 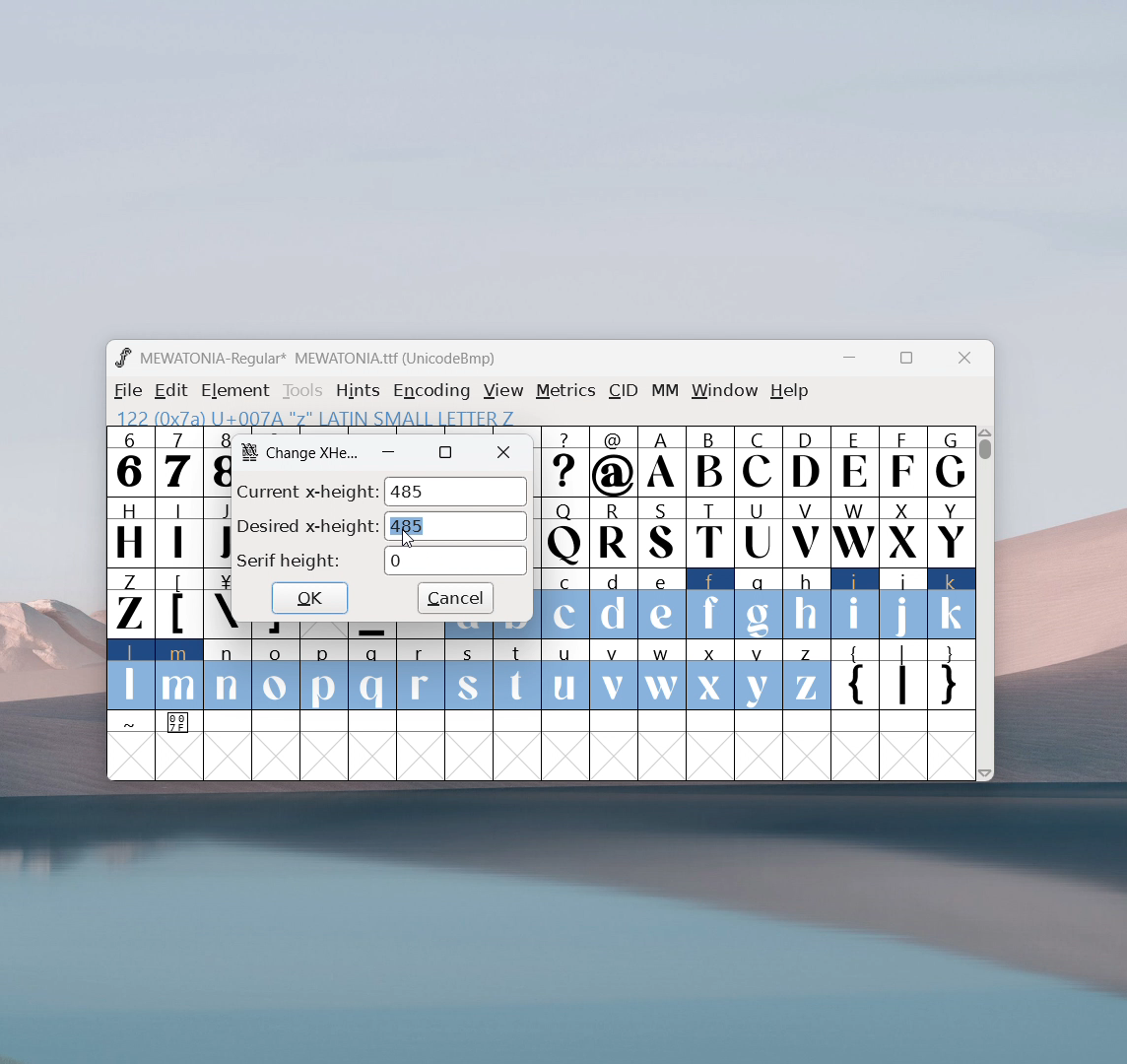 I want to click on 485, so click(x=456, y=526).